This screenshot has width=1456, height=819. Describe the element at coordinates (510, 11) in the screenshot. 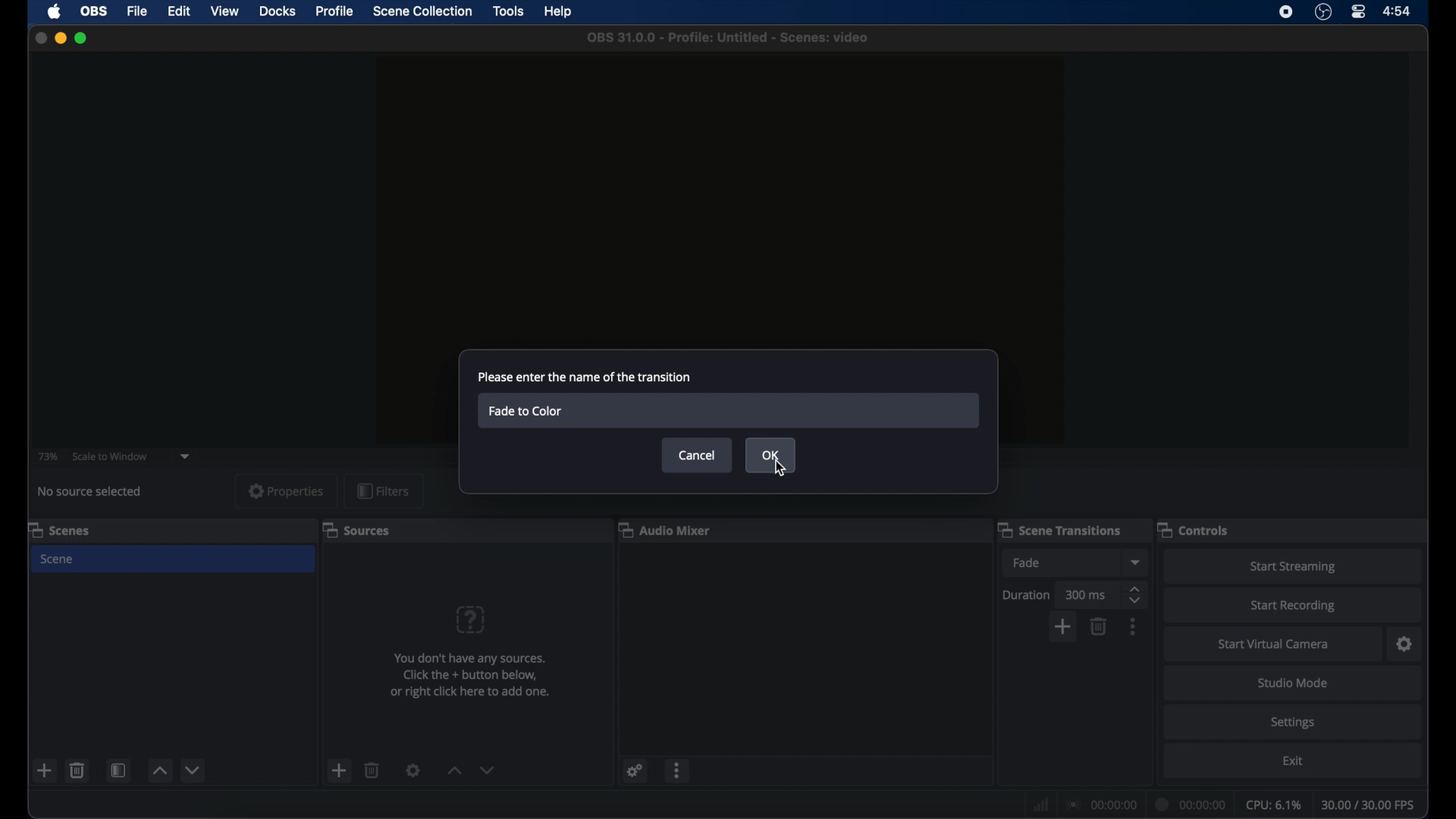

I see `tools` at that location.